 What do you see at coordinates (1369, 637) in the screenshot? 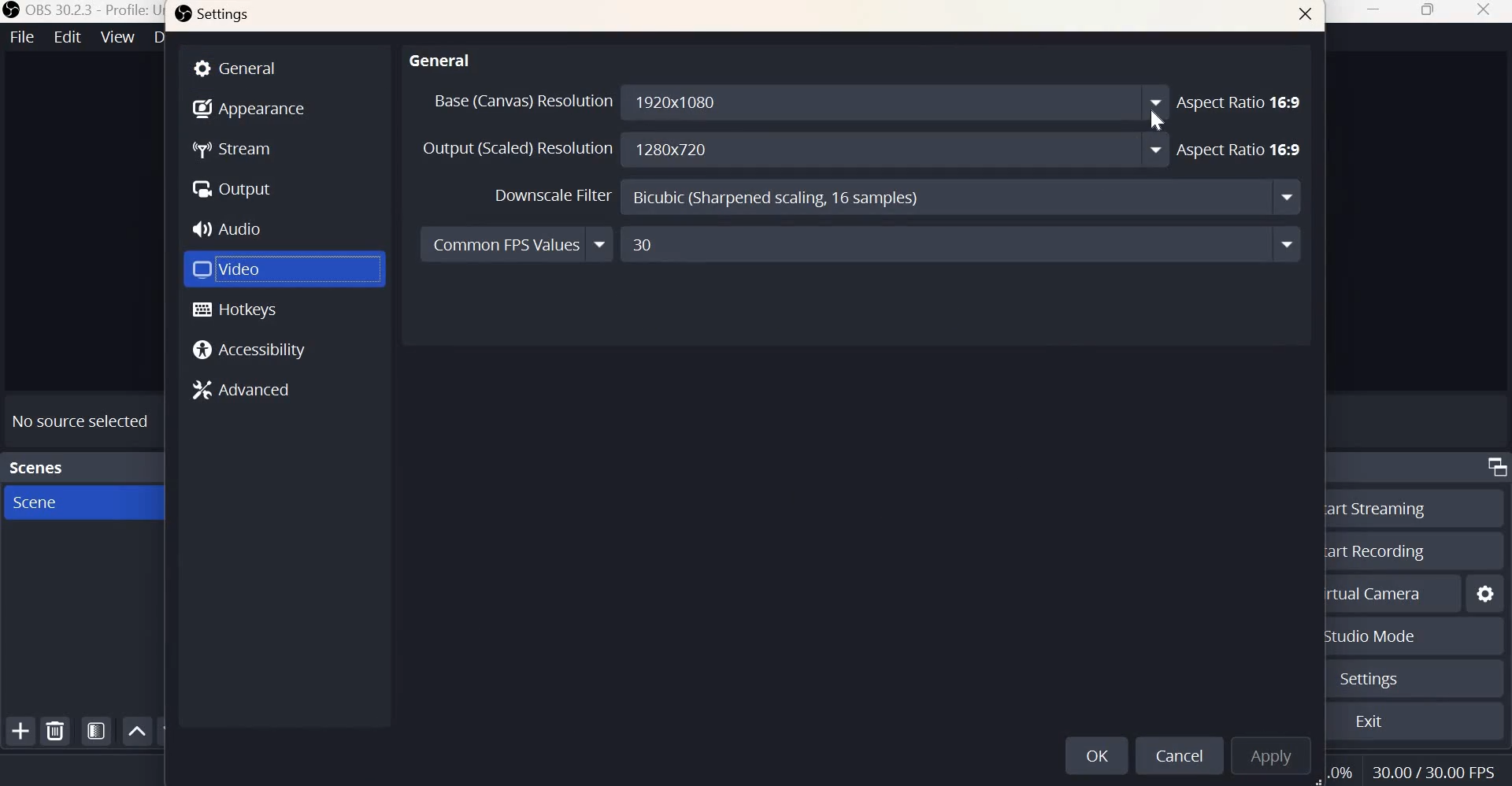
I see `Studio mode` at bounding box center [1369, 637].